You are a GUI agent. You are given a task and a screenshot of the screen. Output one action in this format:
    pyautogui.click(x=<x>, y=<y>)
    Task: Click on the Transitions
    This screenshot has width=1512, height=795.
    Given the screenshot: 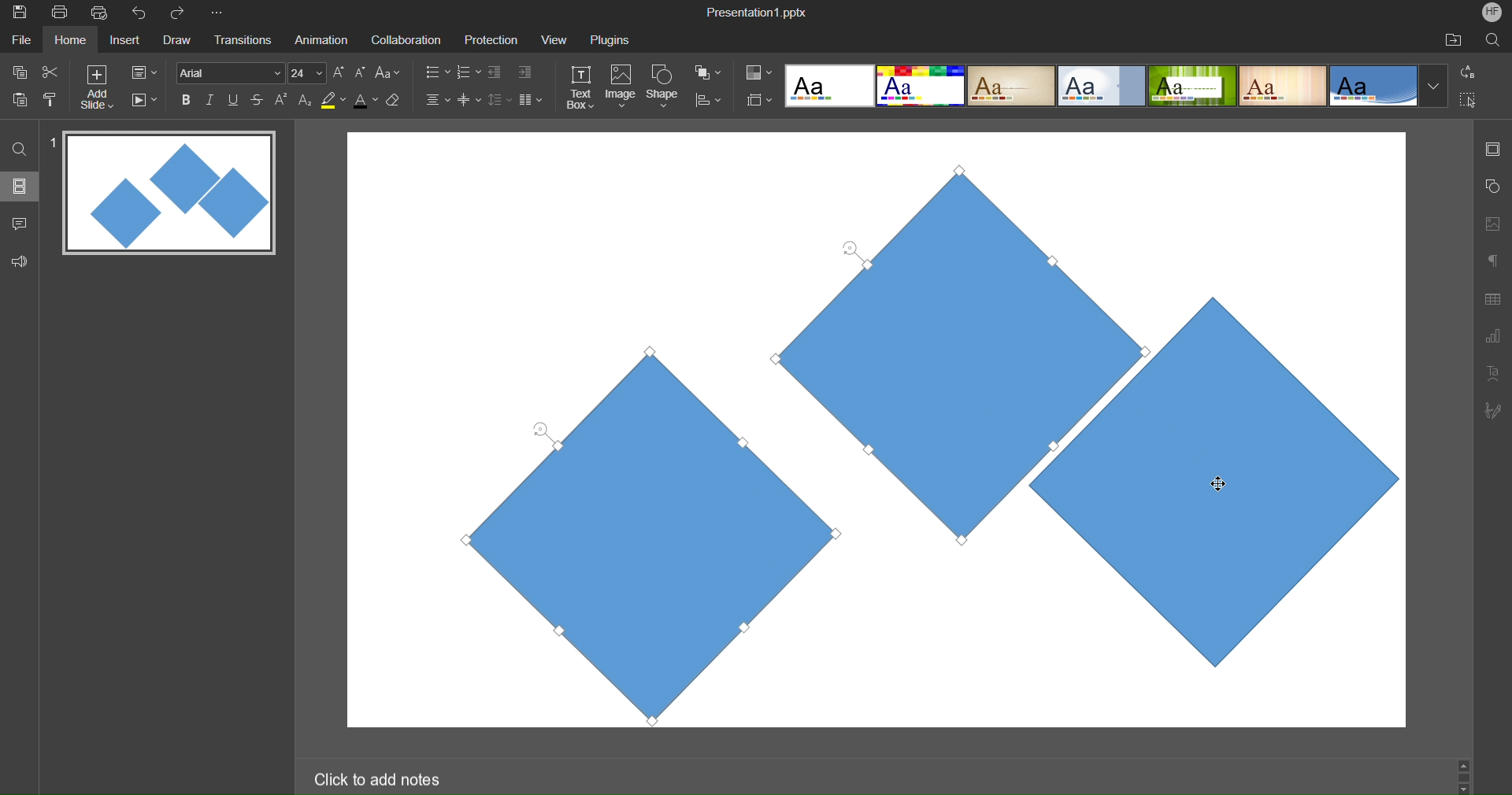 What is the action you would take?
    pyautogui.click(x=241, y=41)
    